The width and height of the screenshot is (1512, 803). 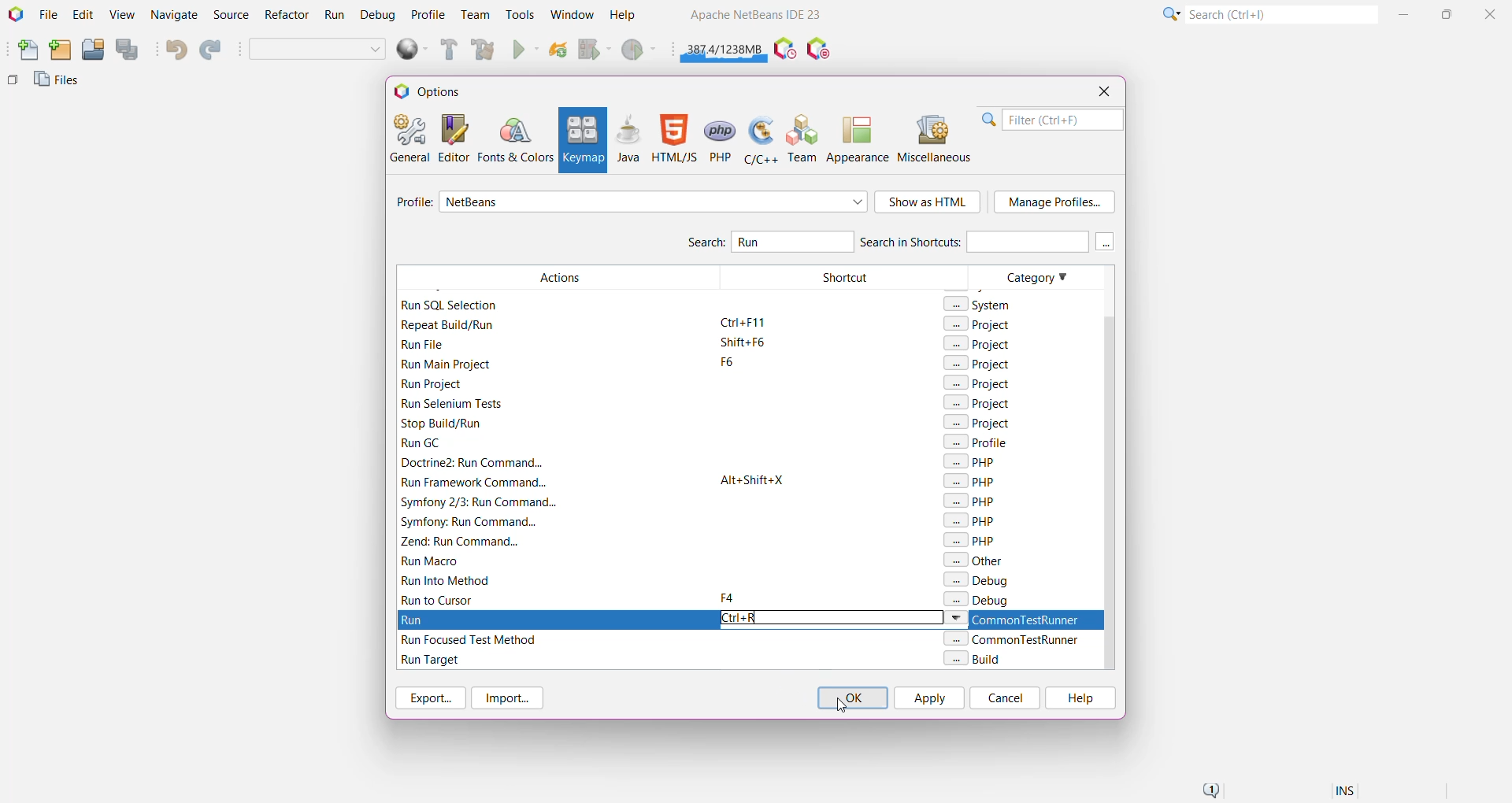 I want to click on Insert Mode, so click(x=1347, y=793).